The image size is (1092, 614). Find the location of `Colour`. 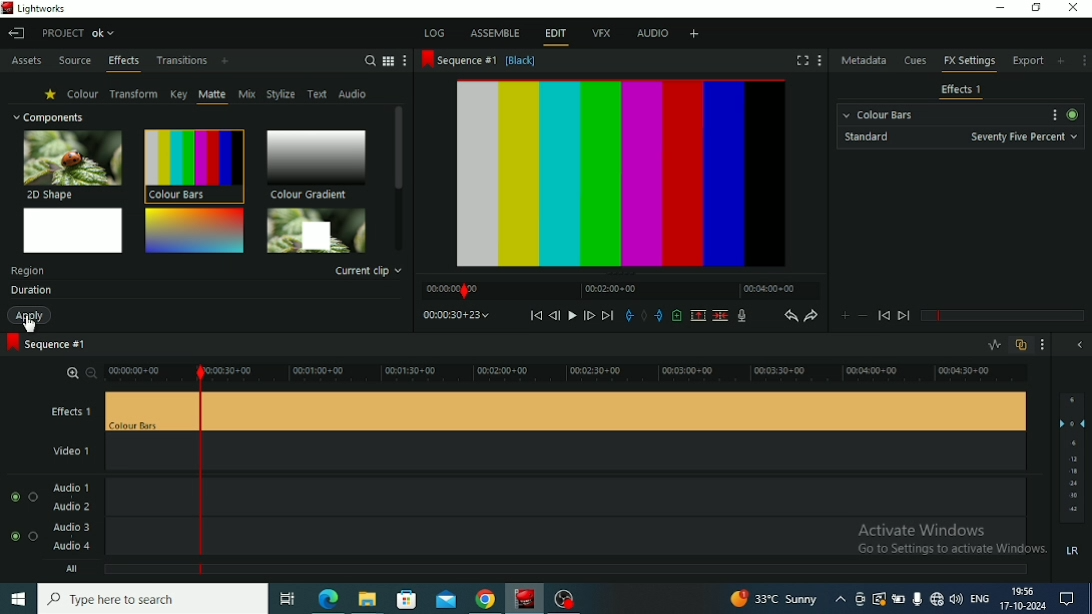

Colour is located at coordinates (83, 93).